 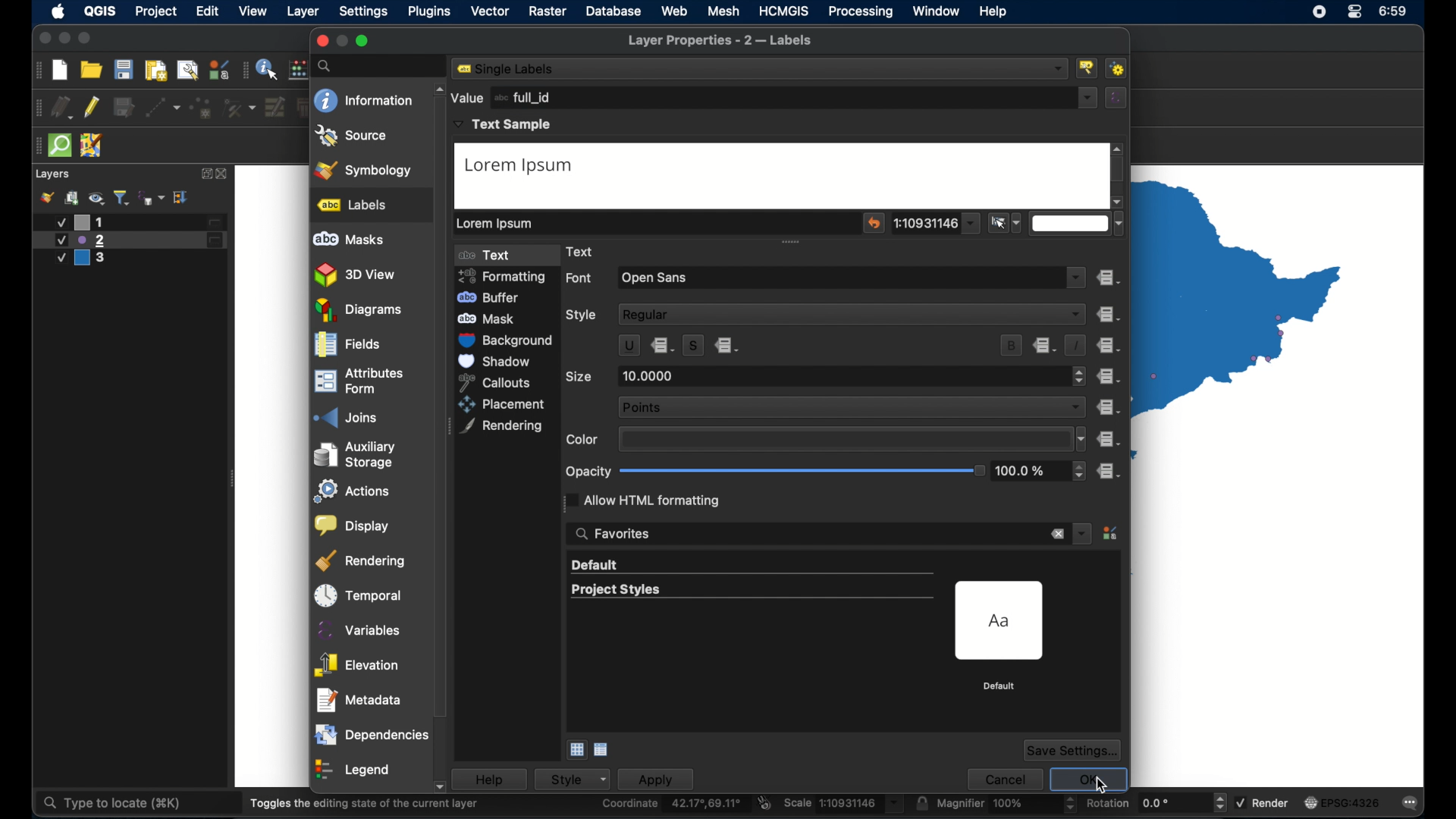 I want to click on shadow, so click(x=497, y=361).